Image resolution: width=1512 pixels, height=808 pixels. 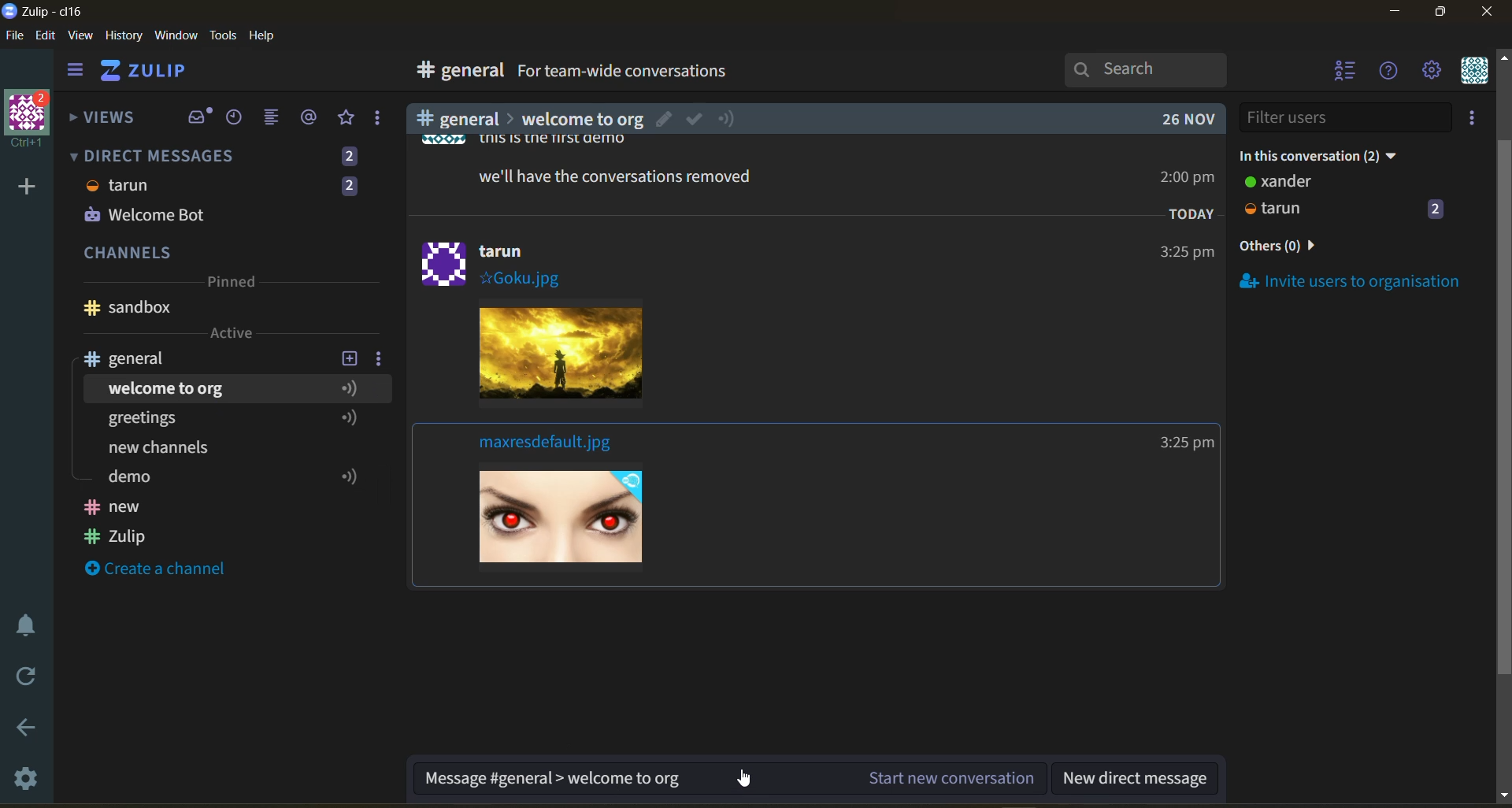 I want to click on channel name, so click(x=136, y=358).